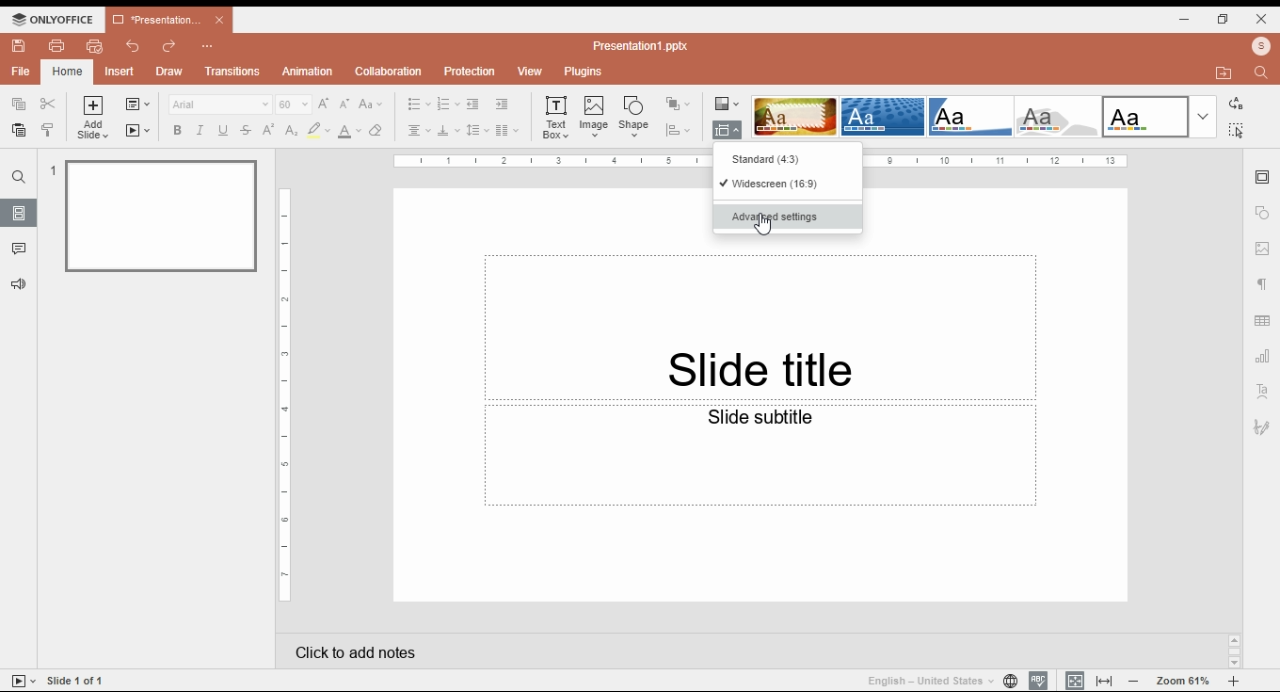 The image size is (1280, 692). Describe the element at coordinates (1038, 680) in the screenshot. I see `spell check` at that location.